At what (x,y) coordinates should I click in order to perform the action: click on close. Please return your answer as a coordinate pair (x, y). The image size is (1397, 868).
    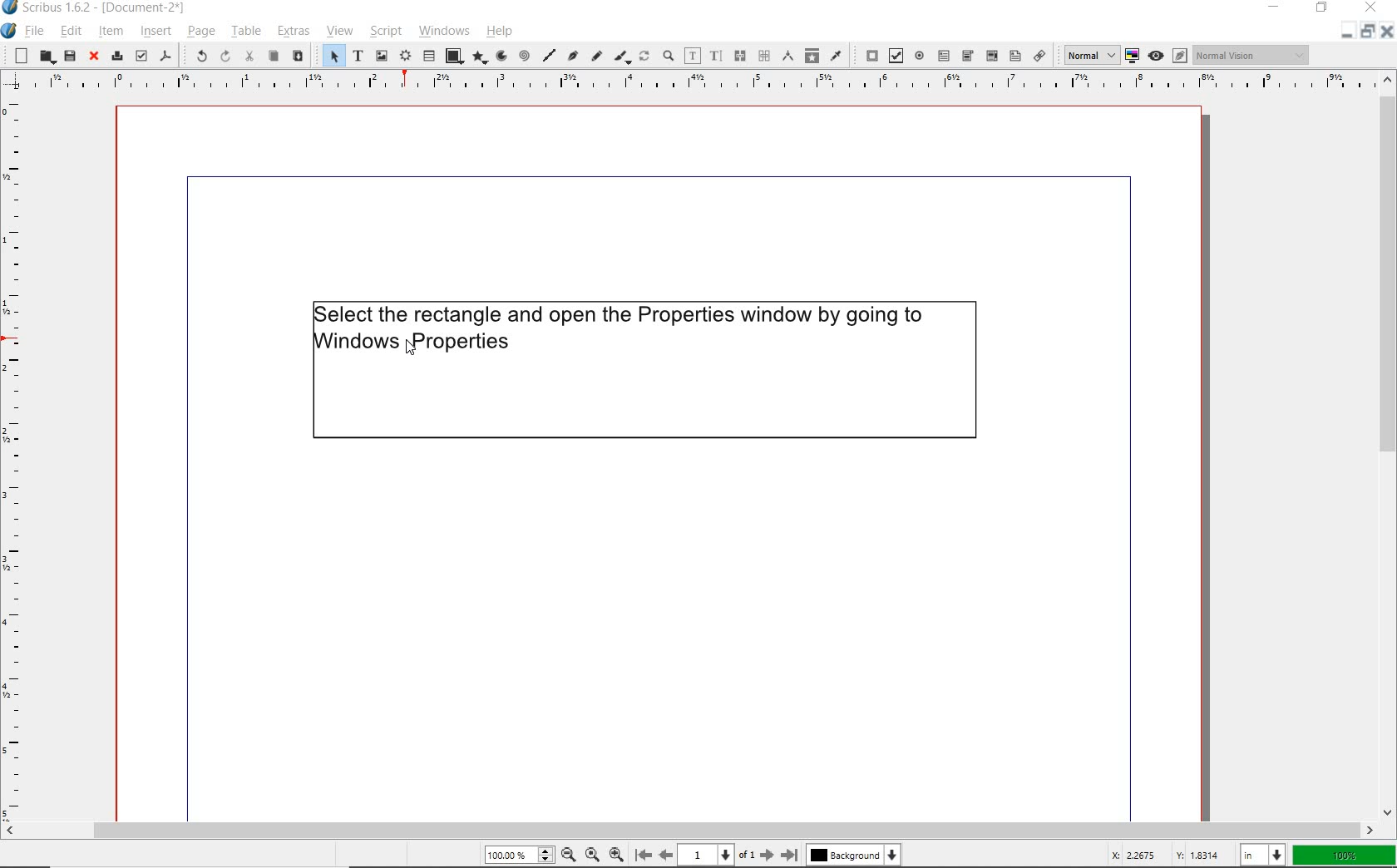
    Looking at the image, I should click on (1370, 9).